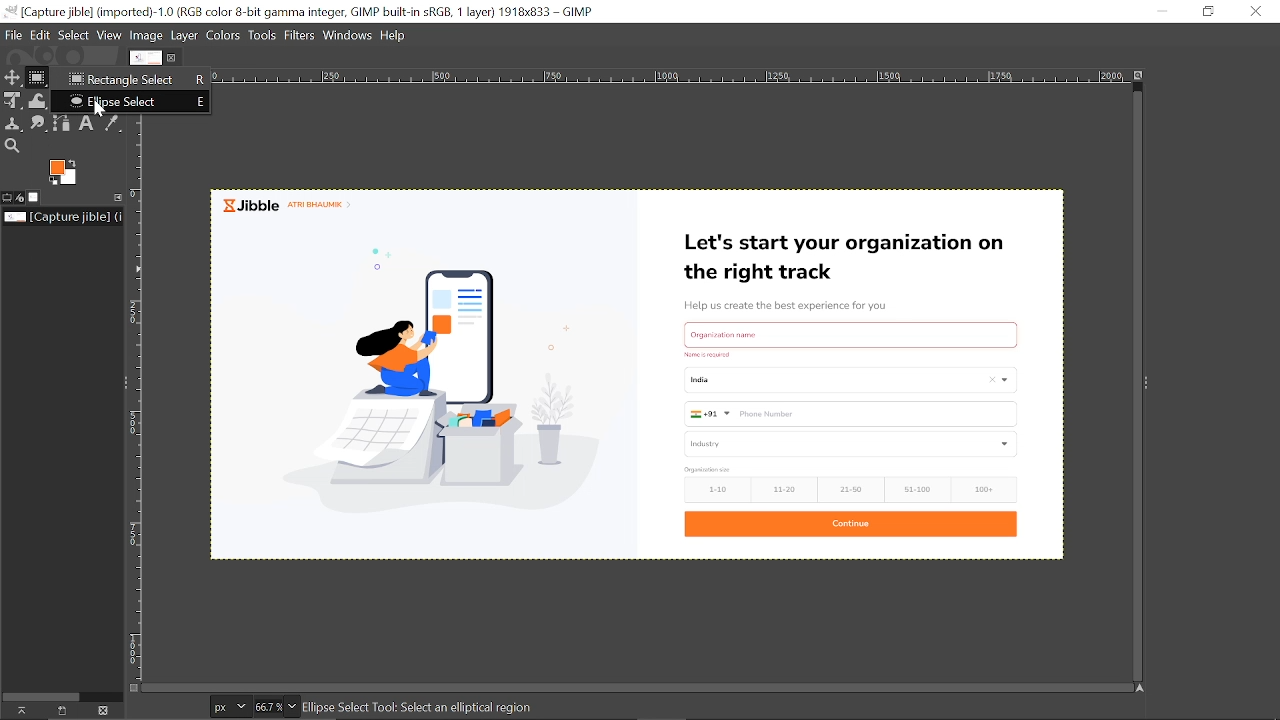  What do you see at coordinates (38, 100) in the screenshot?
I see `Wrap tool` at bounding box center [38, 100].